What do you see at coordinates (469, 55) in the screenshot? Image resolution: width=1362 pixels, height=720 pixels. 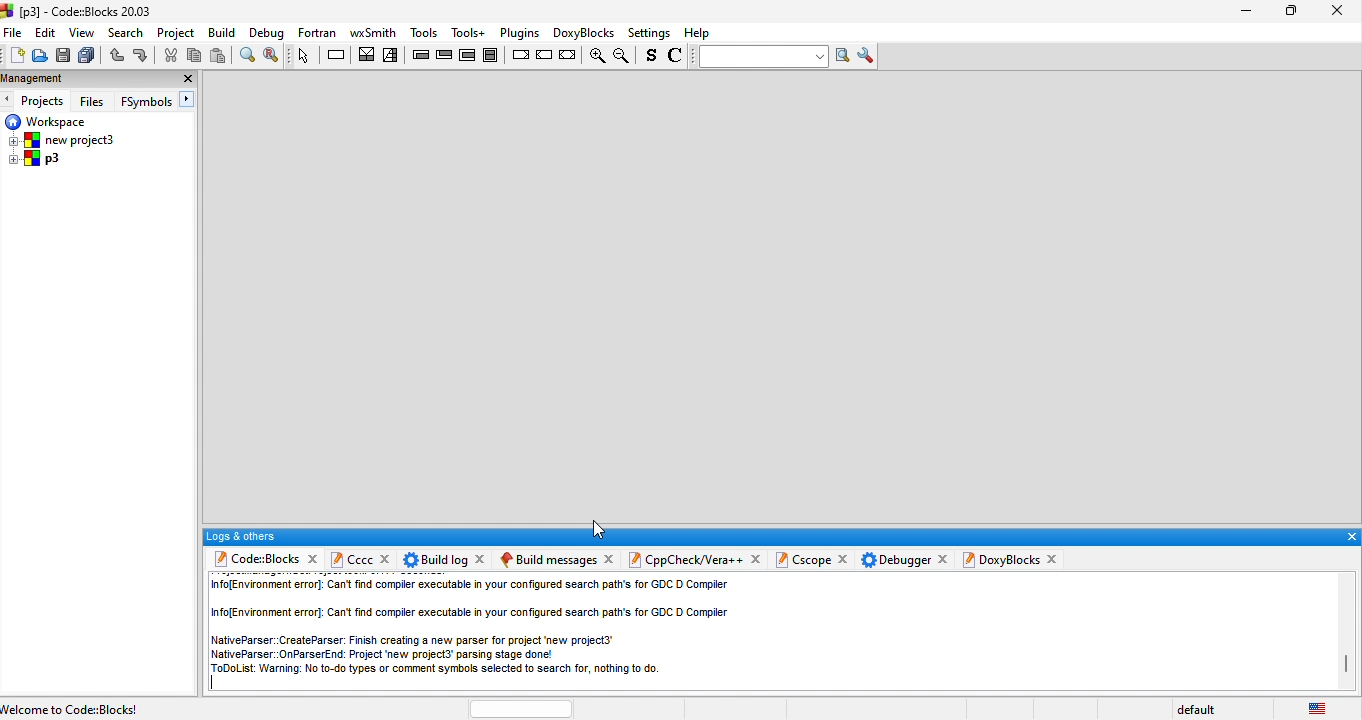 I see `counting loop` at bounding box center [469, 55].